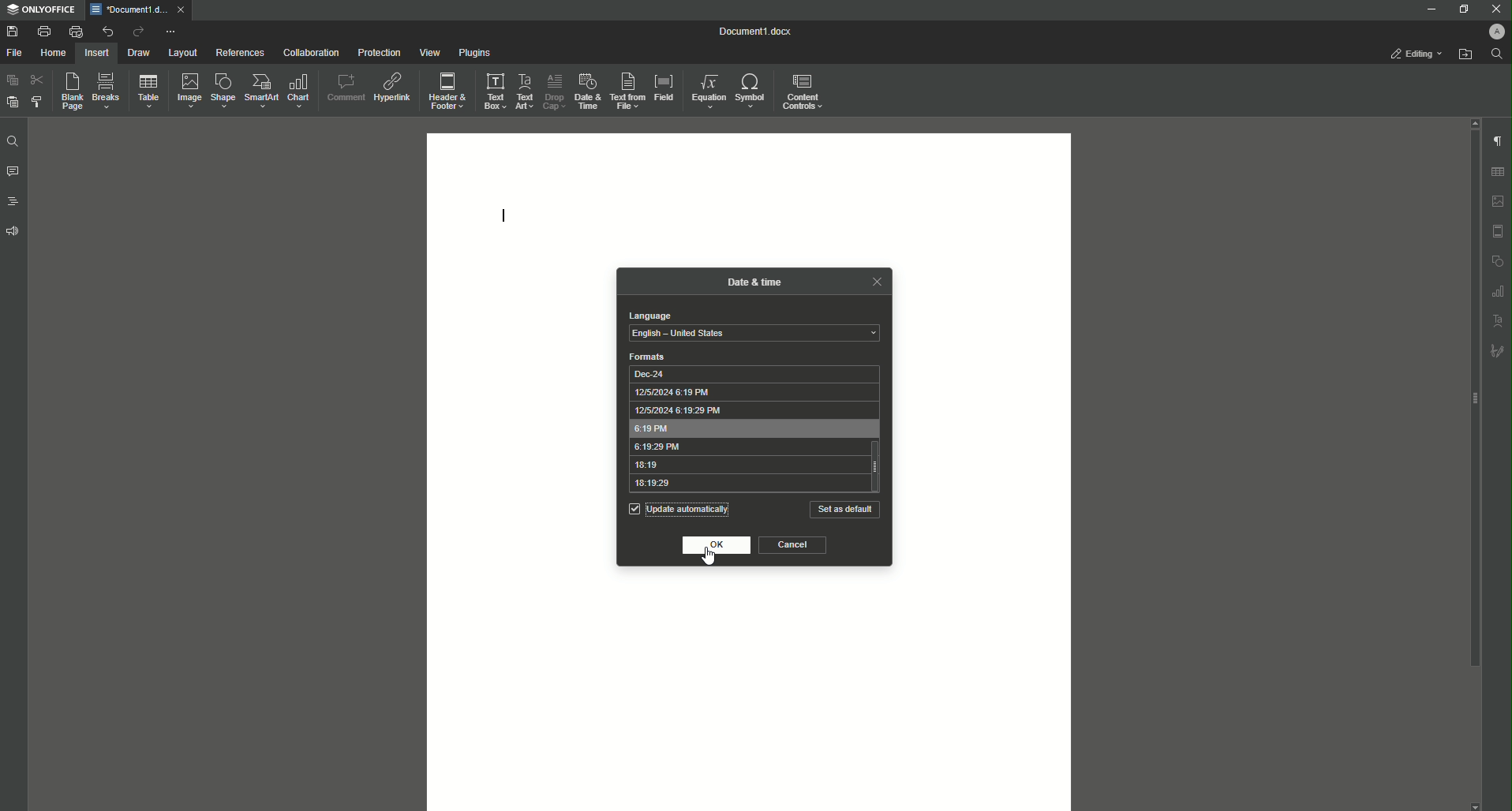  I want to click on Comment, so click(344, 85).